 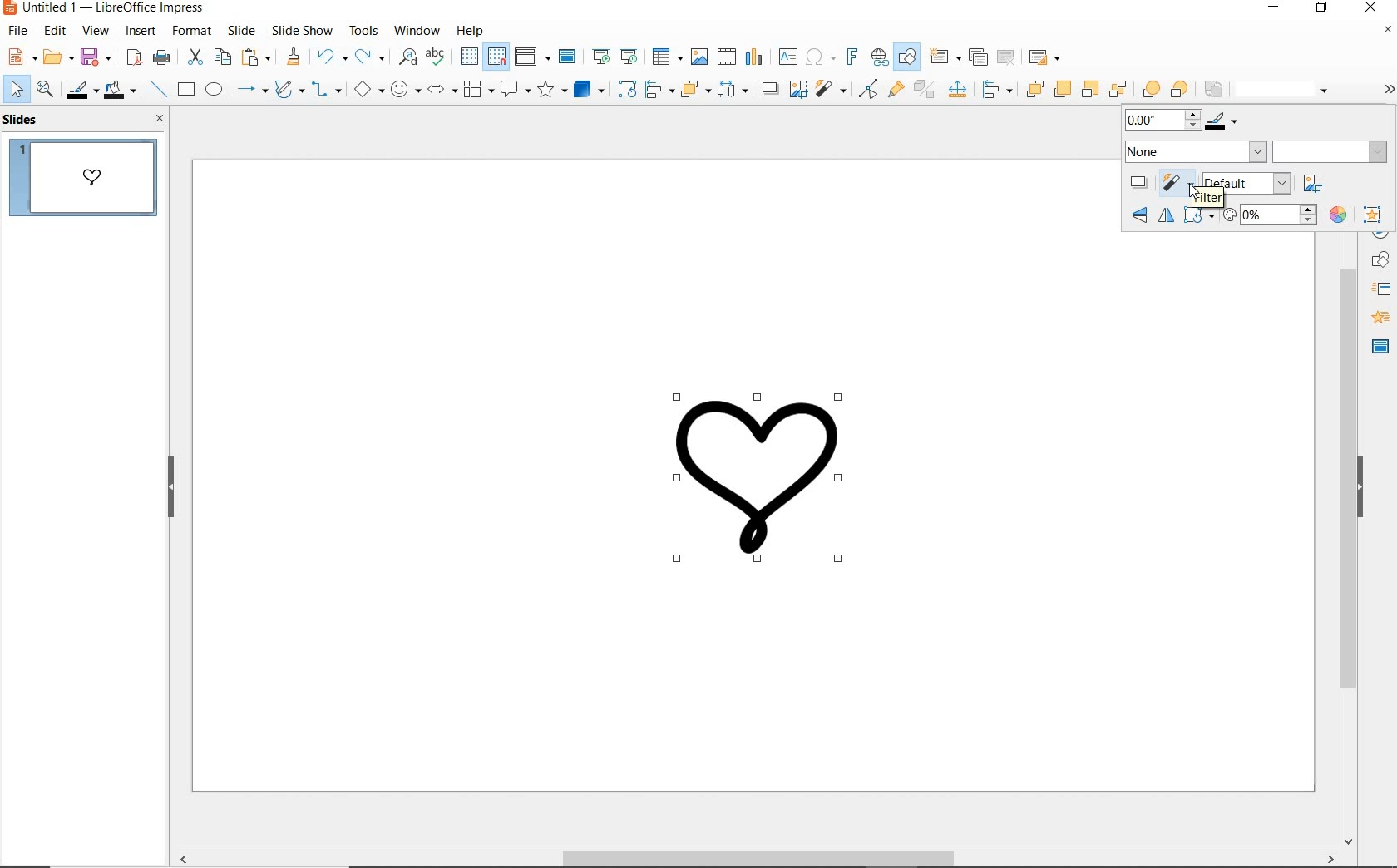 What do you see at coordinates (866, 90) in the screenshot?
I see `toggle point edit mode` at bounding box center [866, 90].